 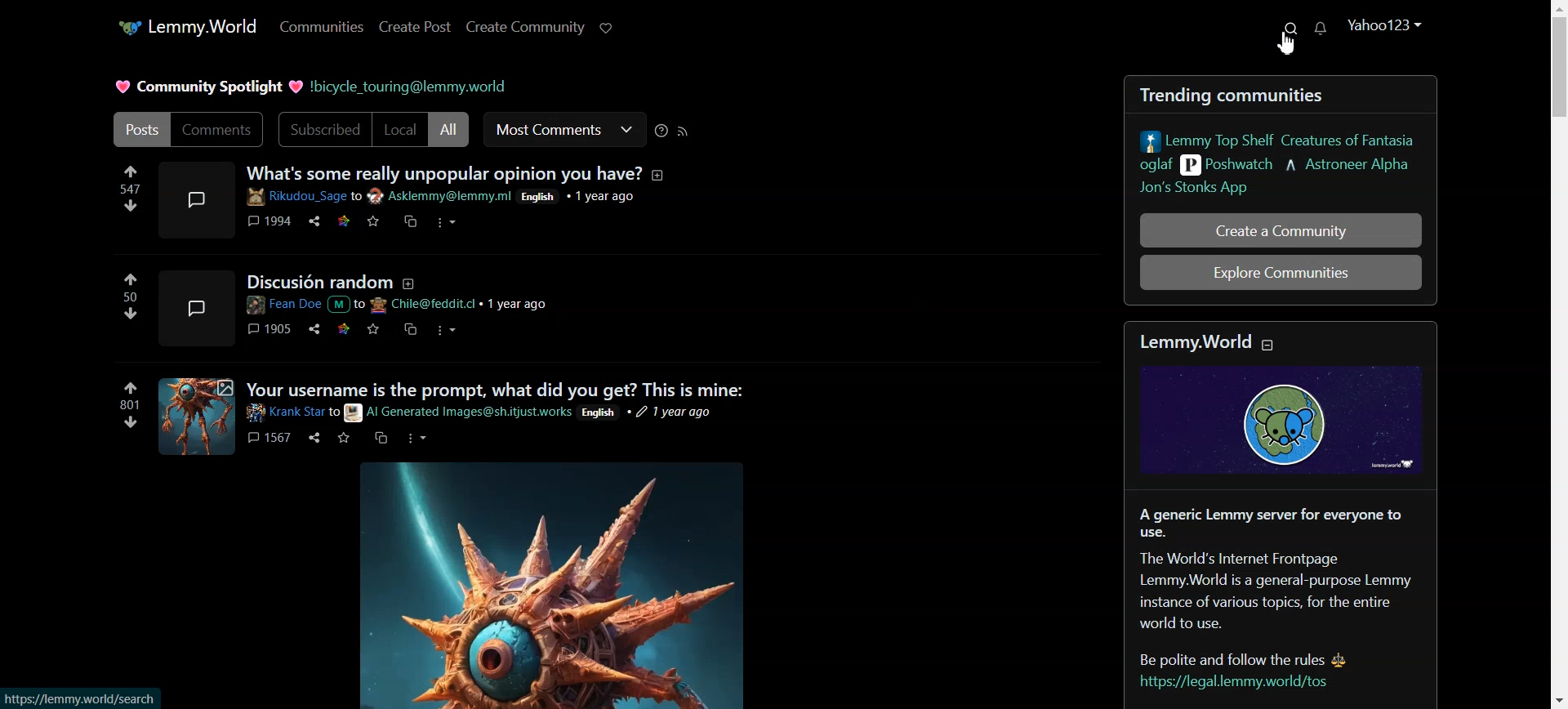 I want to click on | https://legal lemmy.world/tos, so click(x=1243, y=684).